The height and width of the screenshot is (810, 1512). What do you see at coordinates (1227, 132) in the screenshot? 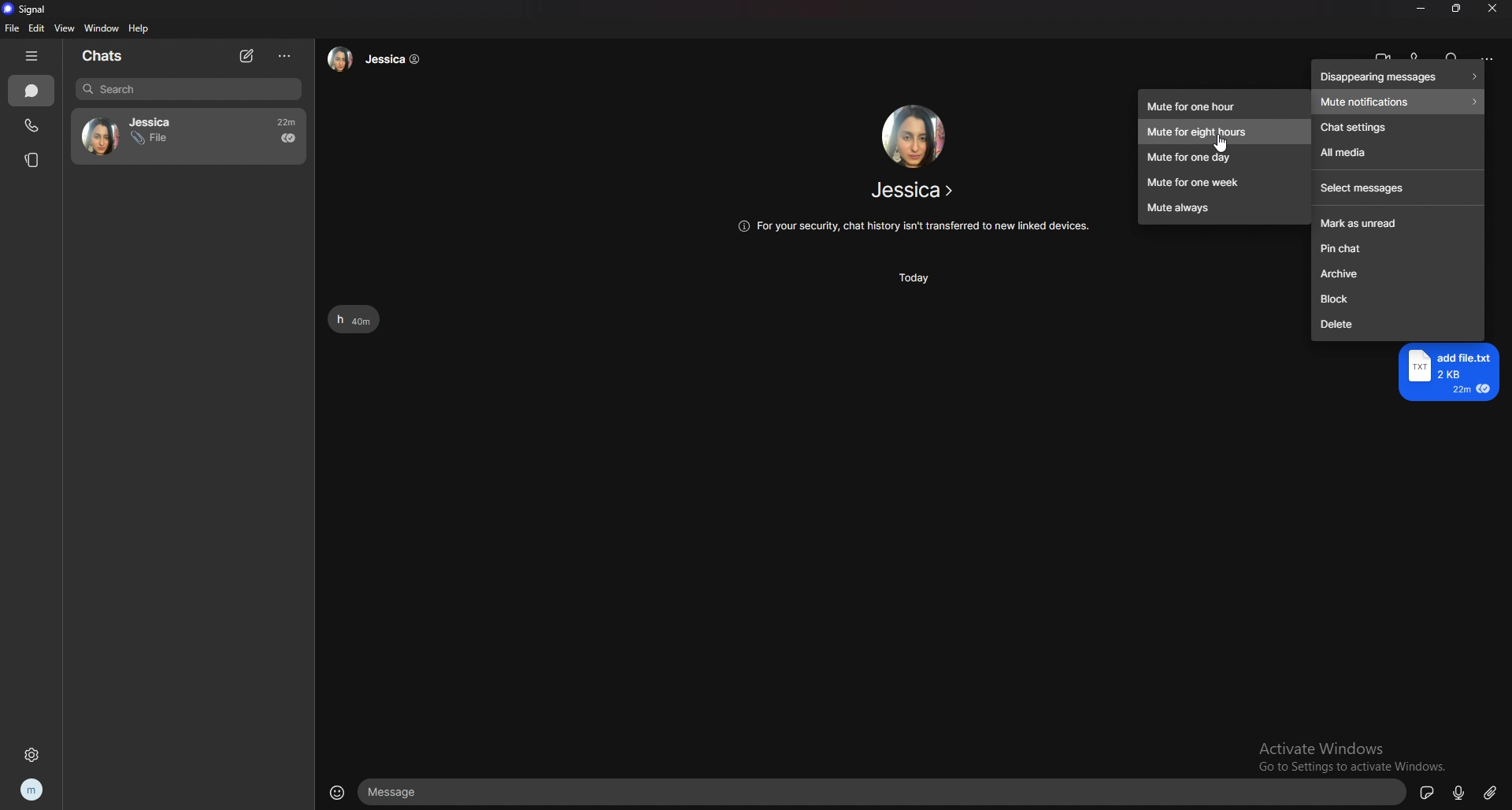
I see `mute for eight hours` at bounding box center [1227, 132].